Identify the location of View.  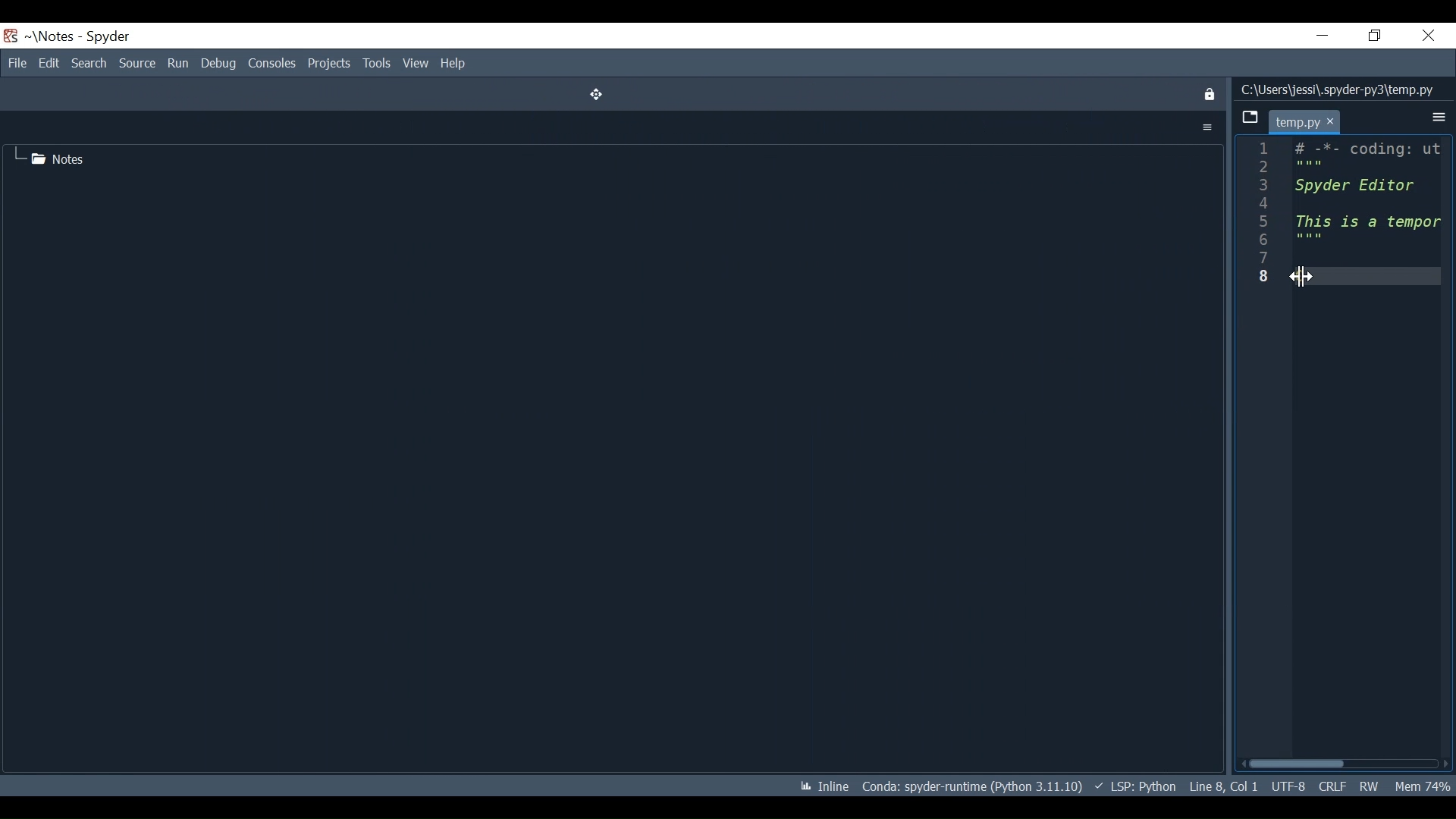
(416, 64).